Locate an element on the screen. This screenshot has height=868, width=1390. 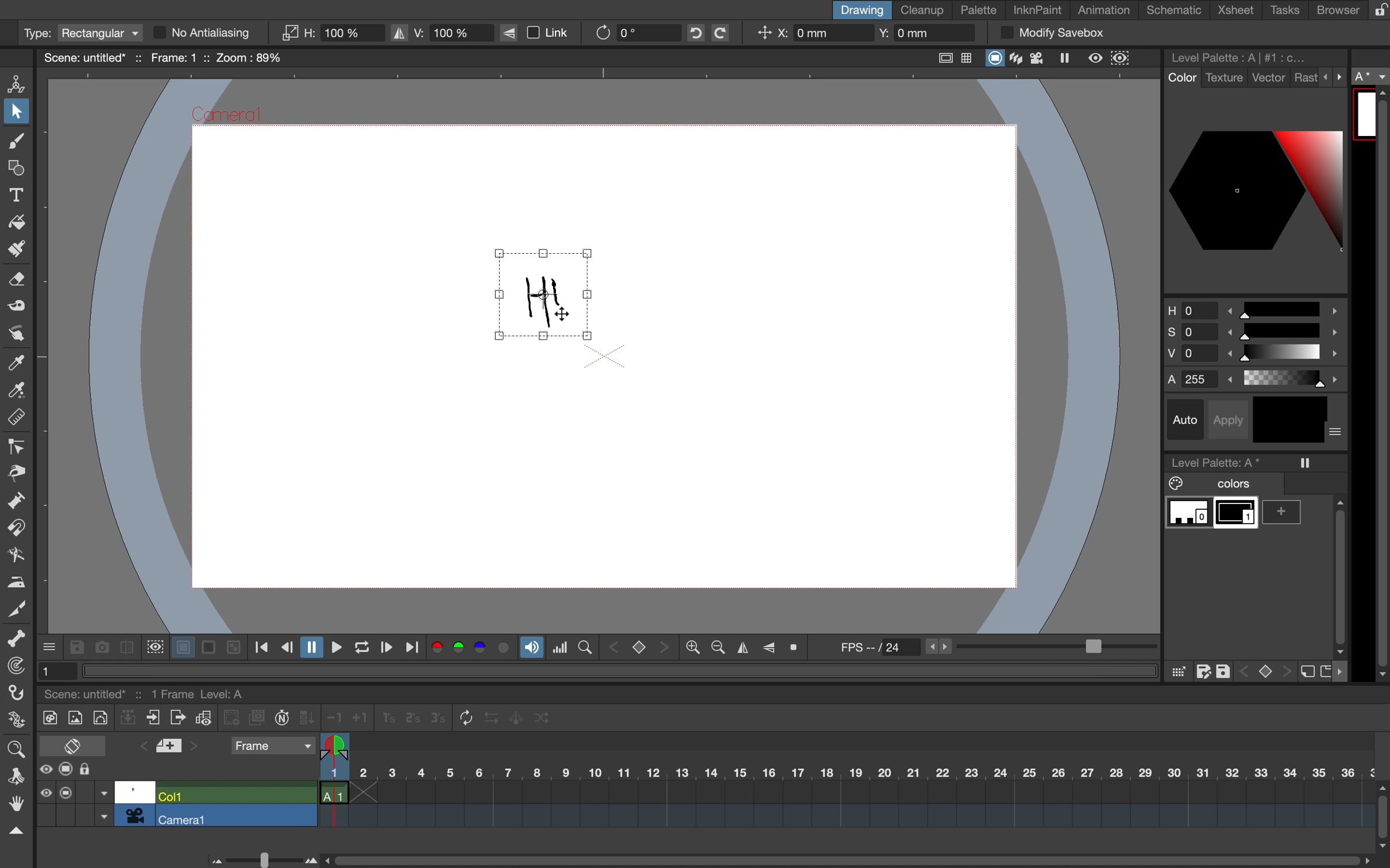
finger tool is located at coordinates (16, 334).